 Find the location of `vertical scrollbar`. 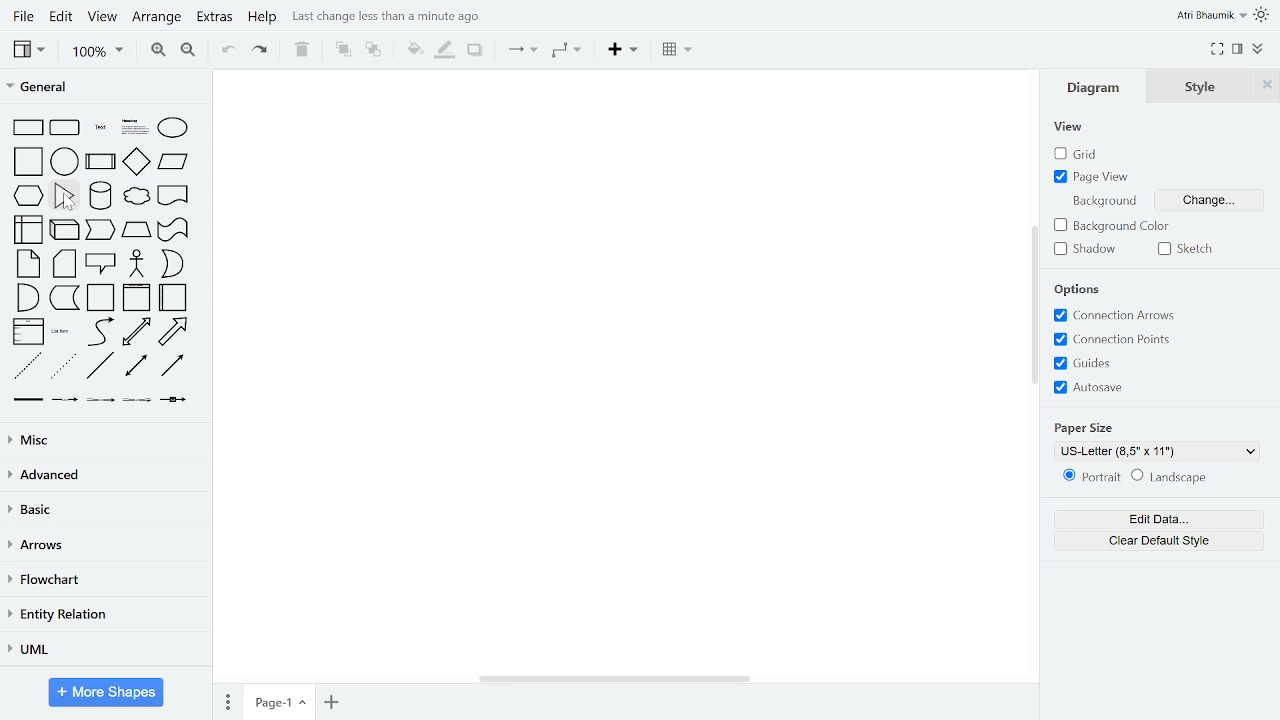

vertical scrollbar is located at coordinates (1037, 305).